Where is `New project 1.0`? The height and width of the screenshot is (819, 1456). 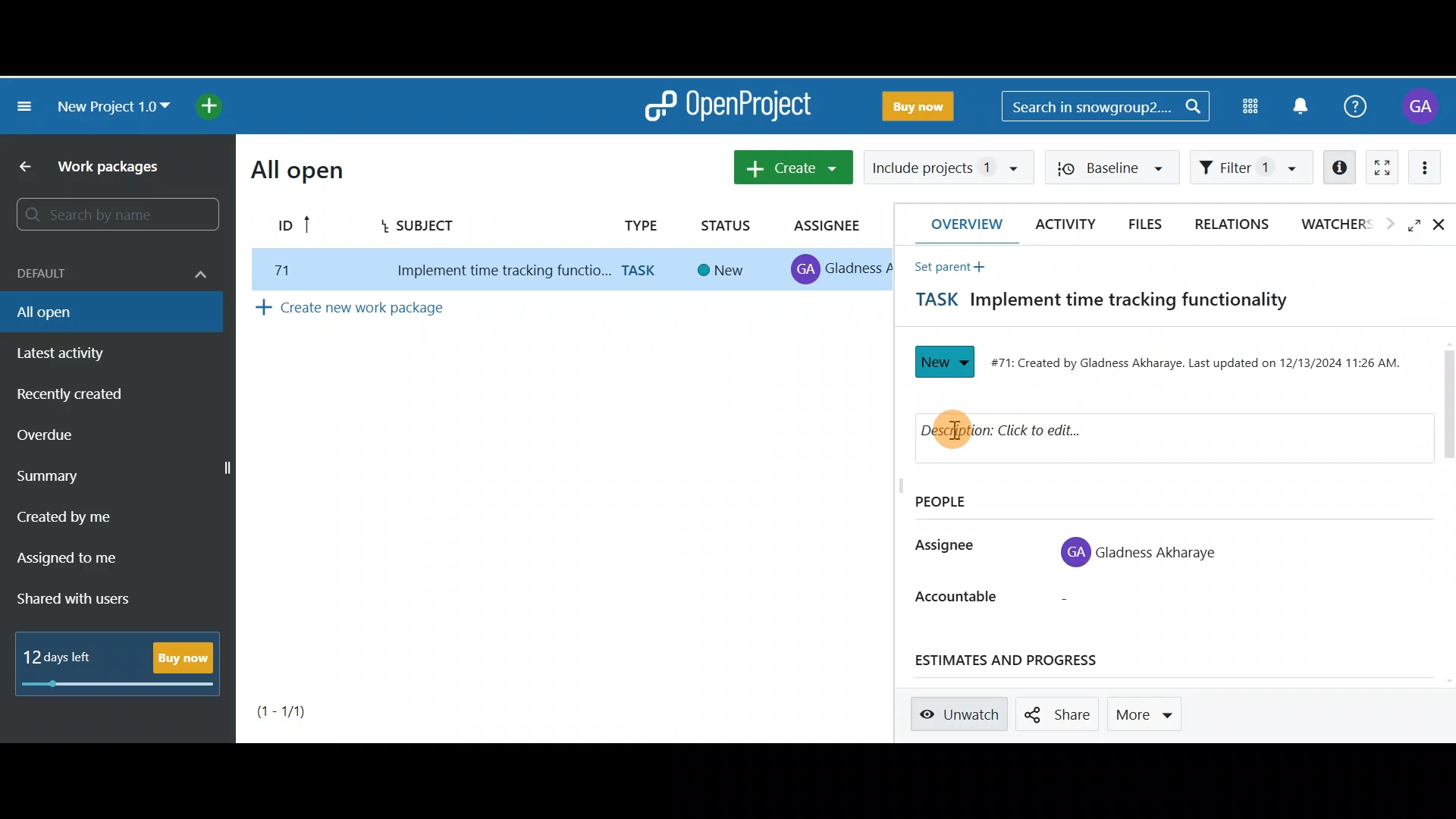
New project 1.0 is located at coordinates (113, 105).